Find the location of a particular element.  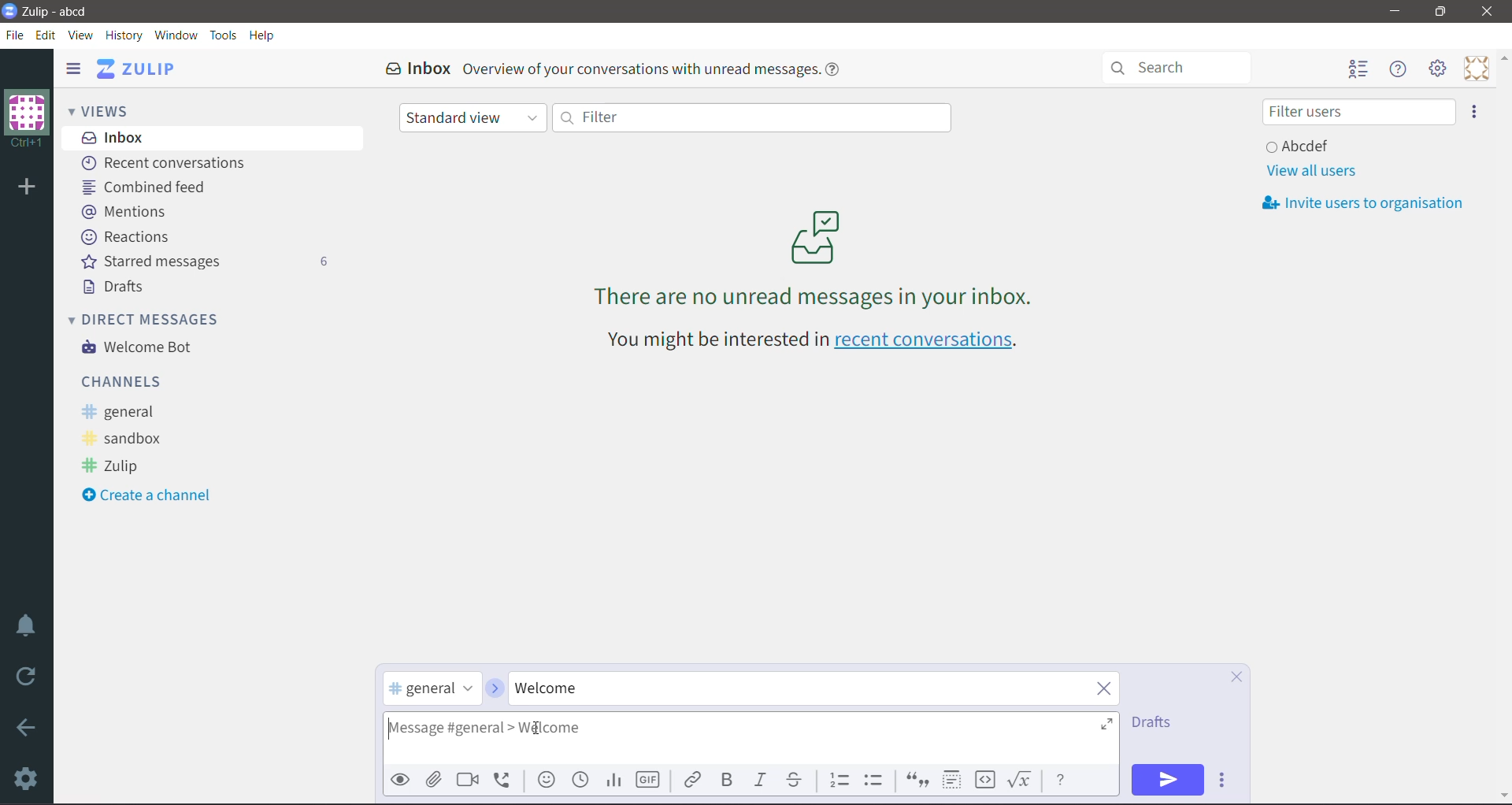

Send Options is located at coordinates (1225, 781).